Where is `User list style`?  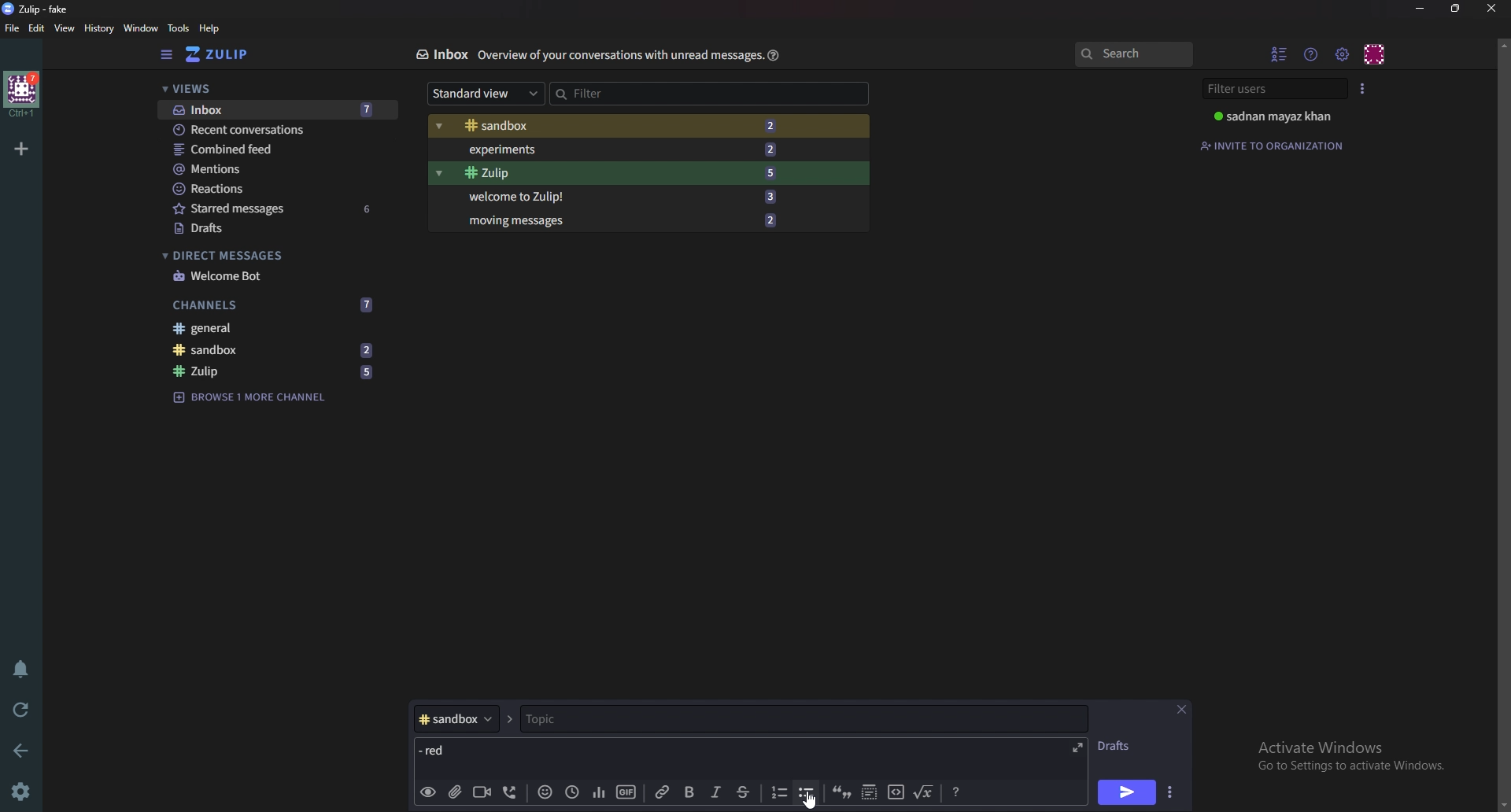
User list style is located at coordinates (1362, 88).